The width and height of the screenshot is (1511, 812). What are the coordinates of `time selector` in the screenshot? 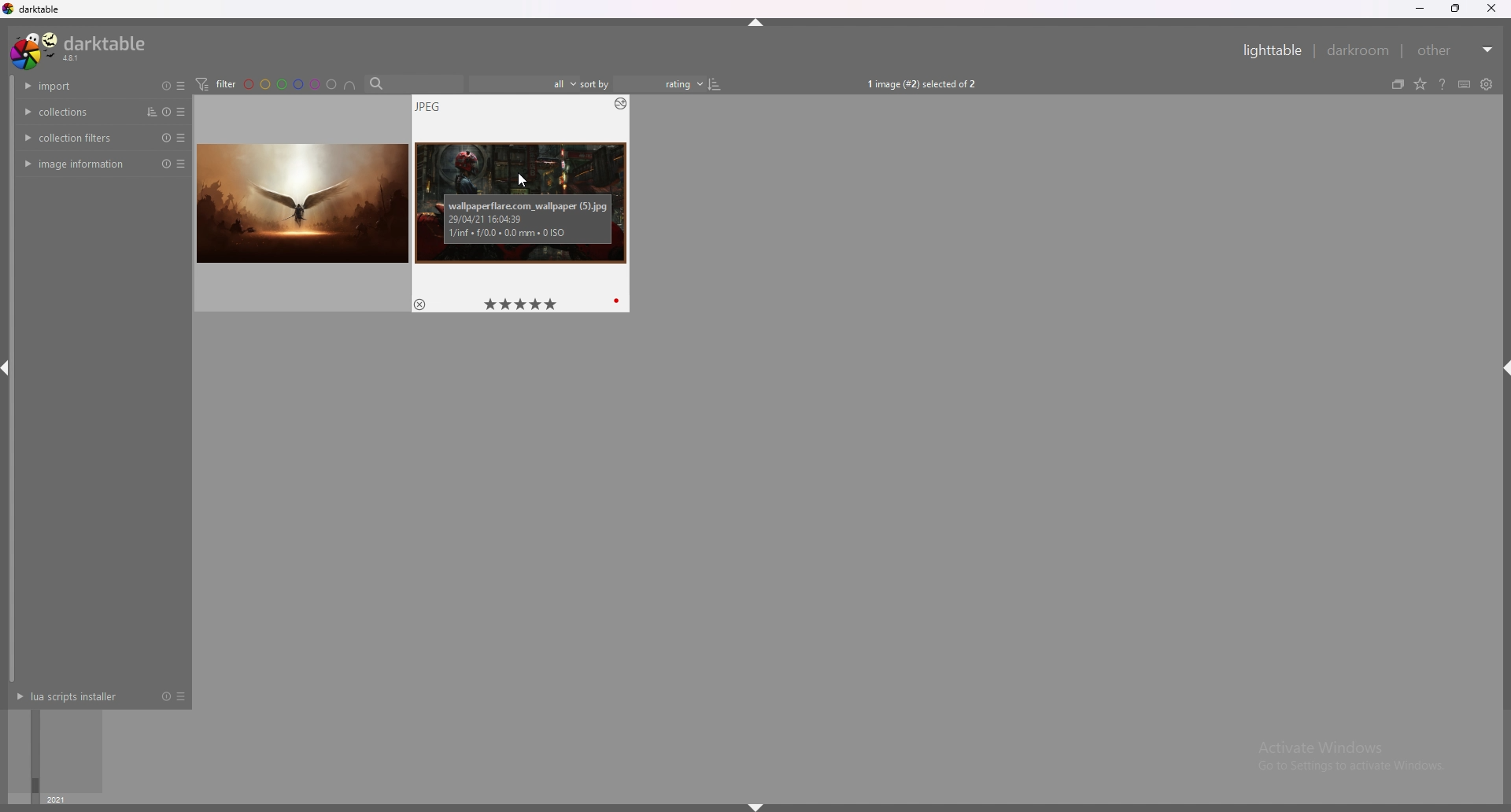 It's located at (54, 751).